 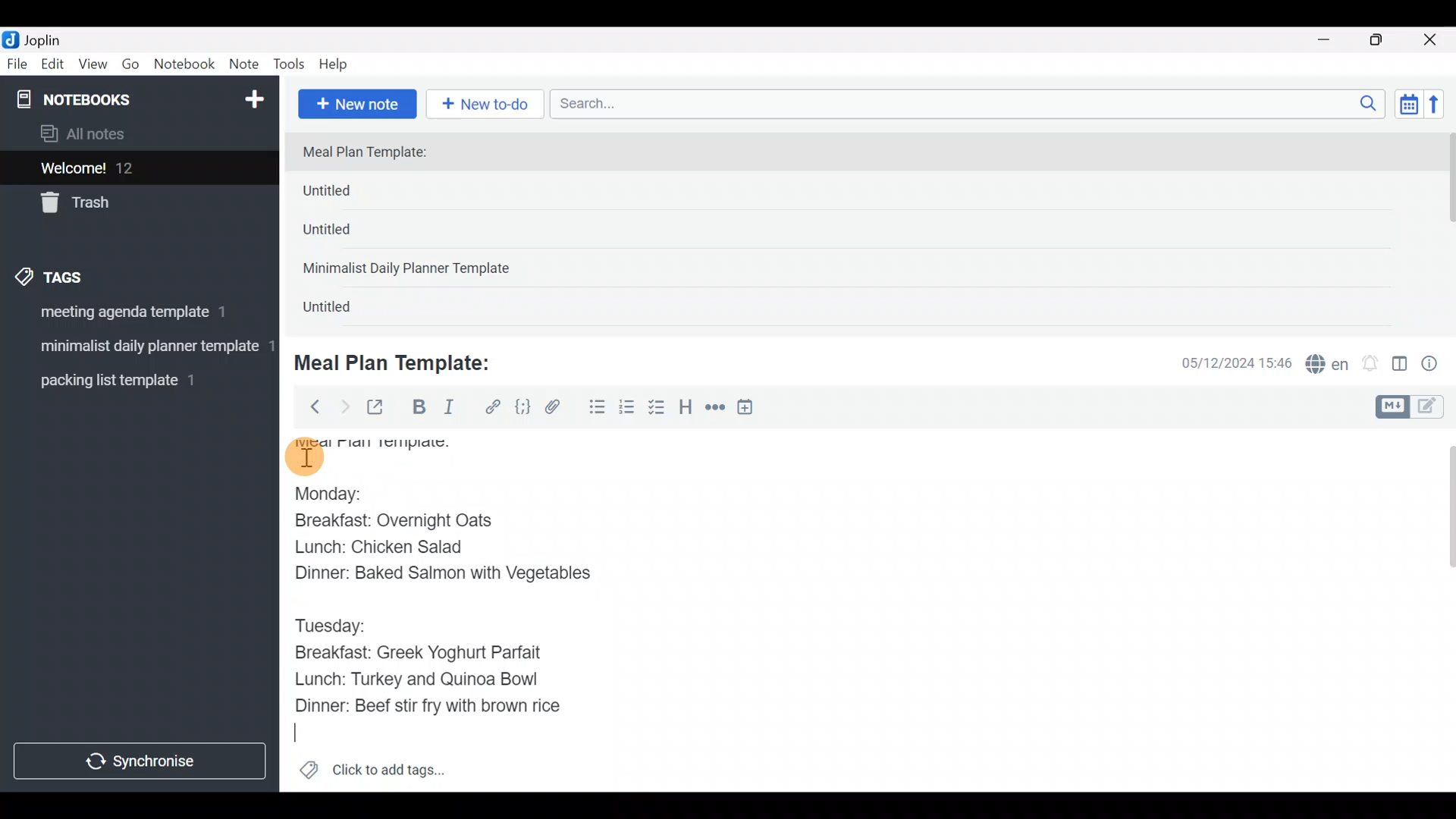 What do you see at coordinates (142, 761) in the screenshot?
I see `Synchronize` at bounding box center [142, 761].